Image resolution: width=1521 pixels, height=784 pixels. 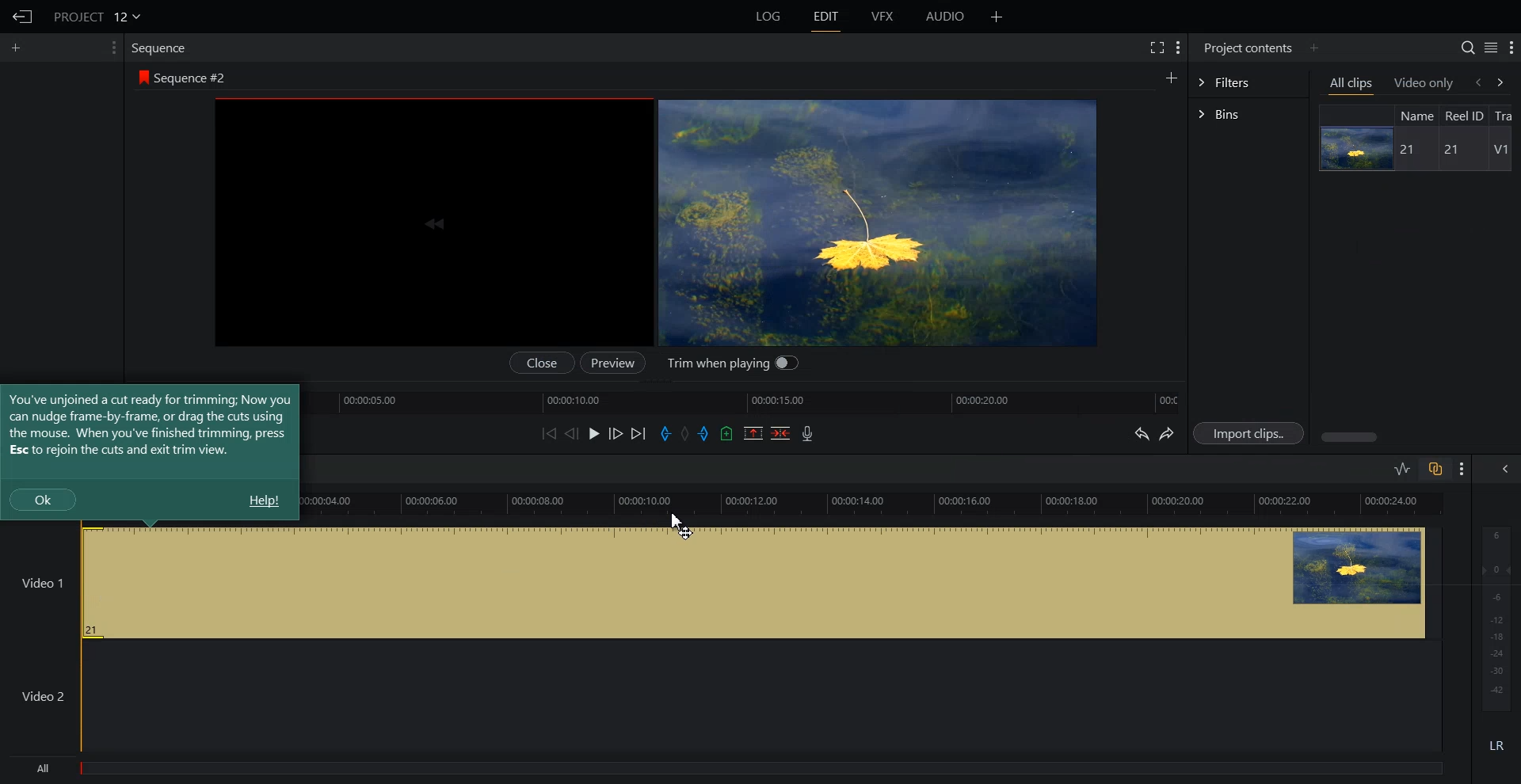 What do you see at coordinates (150, 424) in the screenshot?
I see `You've unjoined a cut ready for trimming; Now you
can nudge frame-by-frame, or drag the cuts using
the mouse. When you've finished trimming, press
Esc to rejoin the cuts and exit trim view.` at bounding box center [150, 424].